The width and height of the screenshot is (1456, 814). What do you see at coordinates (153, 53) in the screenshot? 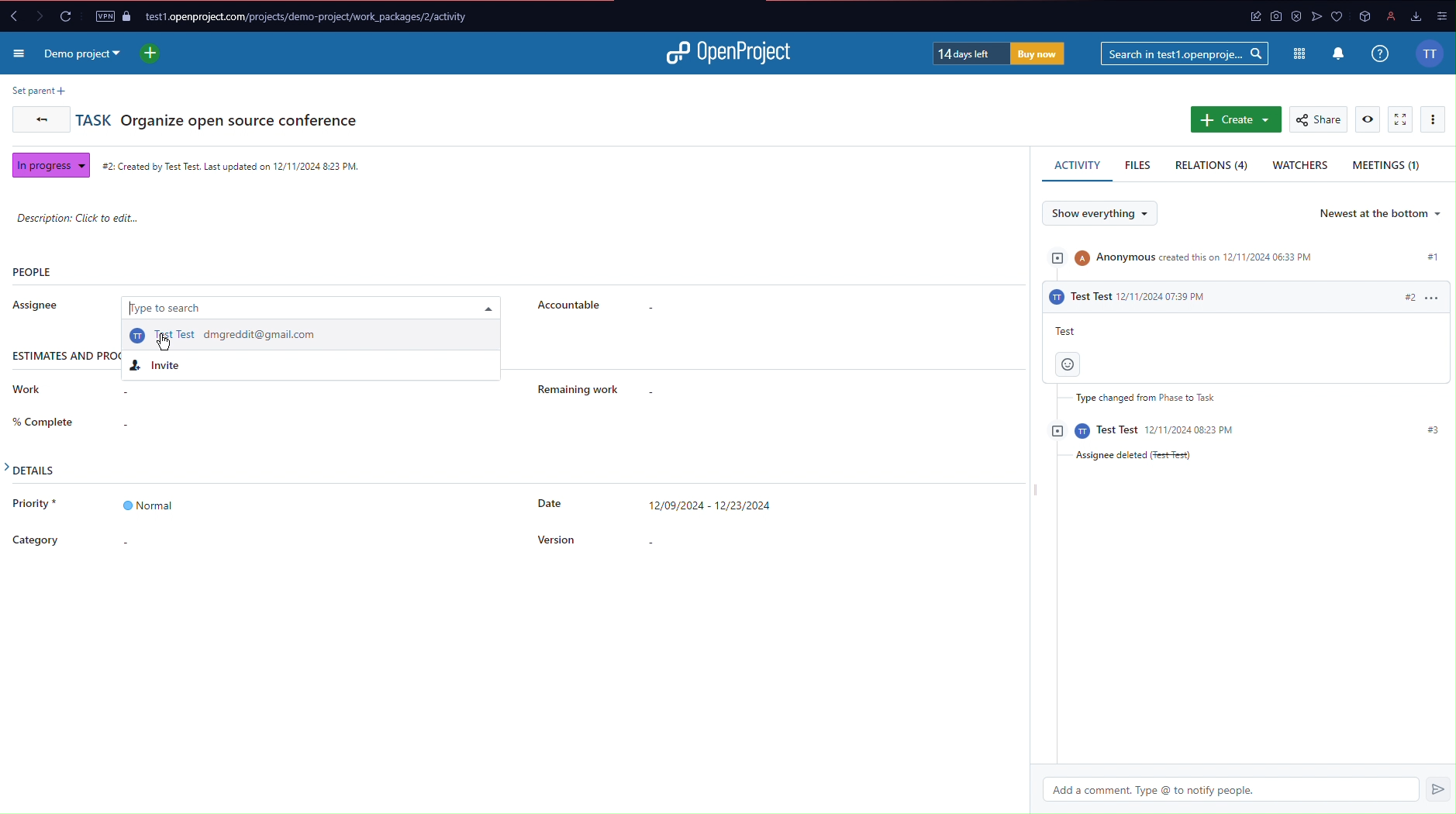
I see `New project` at bounding box center [153, 53].